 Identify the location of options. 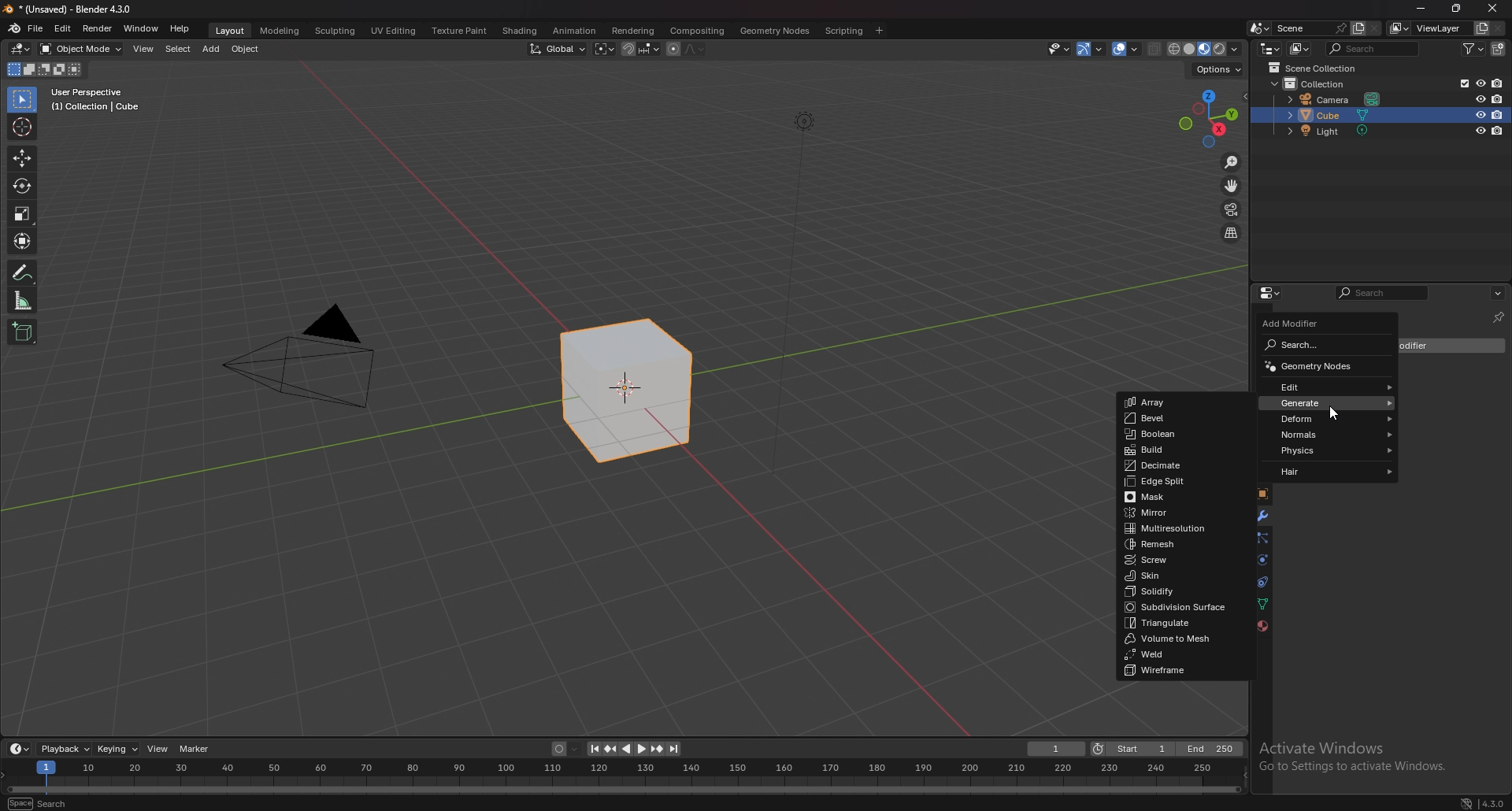
(1218, 69).